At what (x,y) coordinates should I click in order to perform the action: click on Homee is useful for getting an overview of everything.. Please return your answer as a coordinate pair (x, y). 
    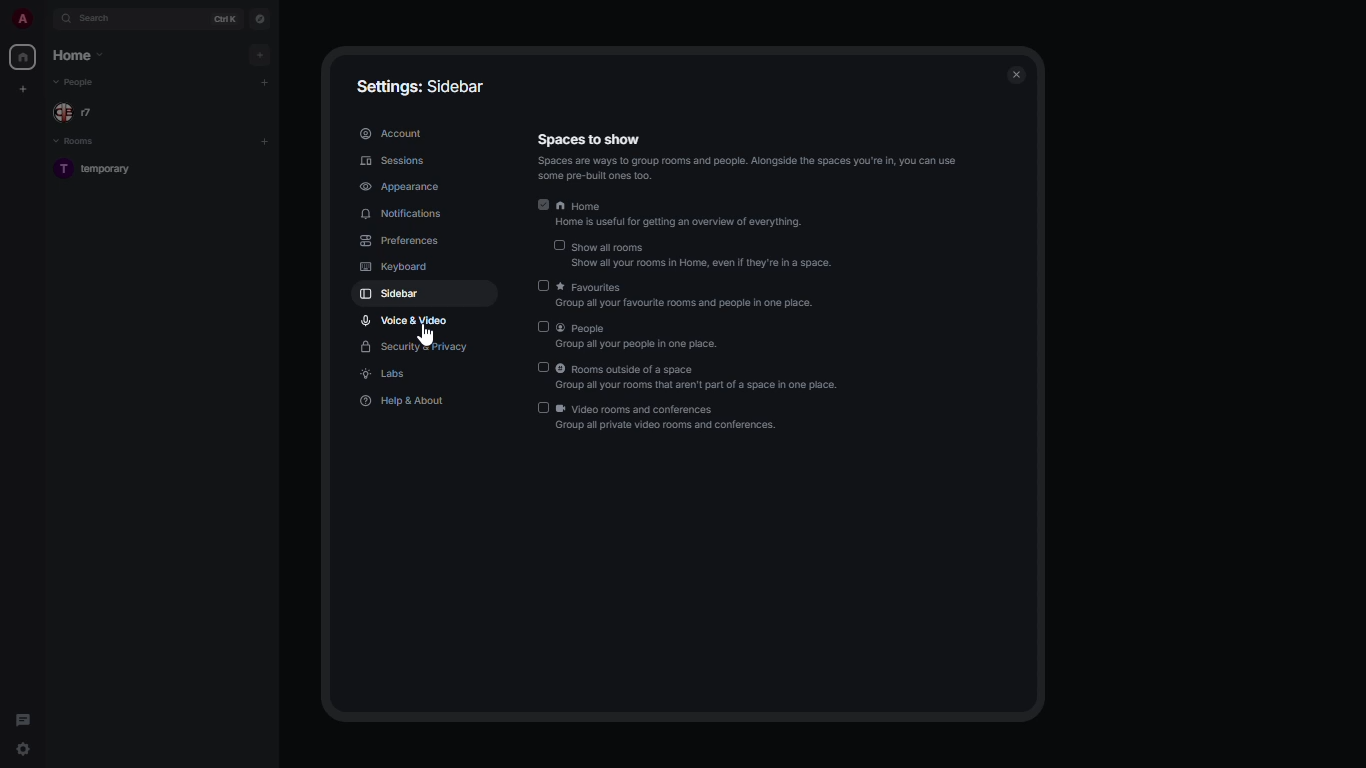
    Looking at the image, I should click on (683, 223).